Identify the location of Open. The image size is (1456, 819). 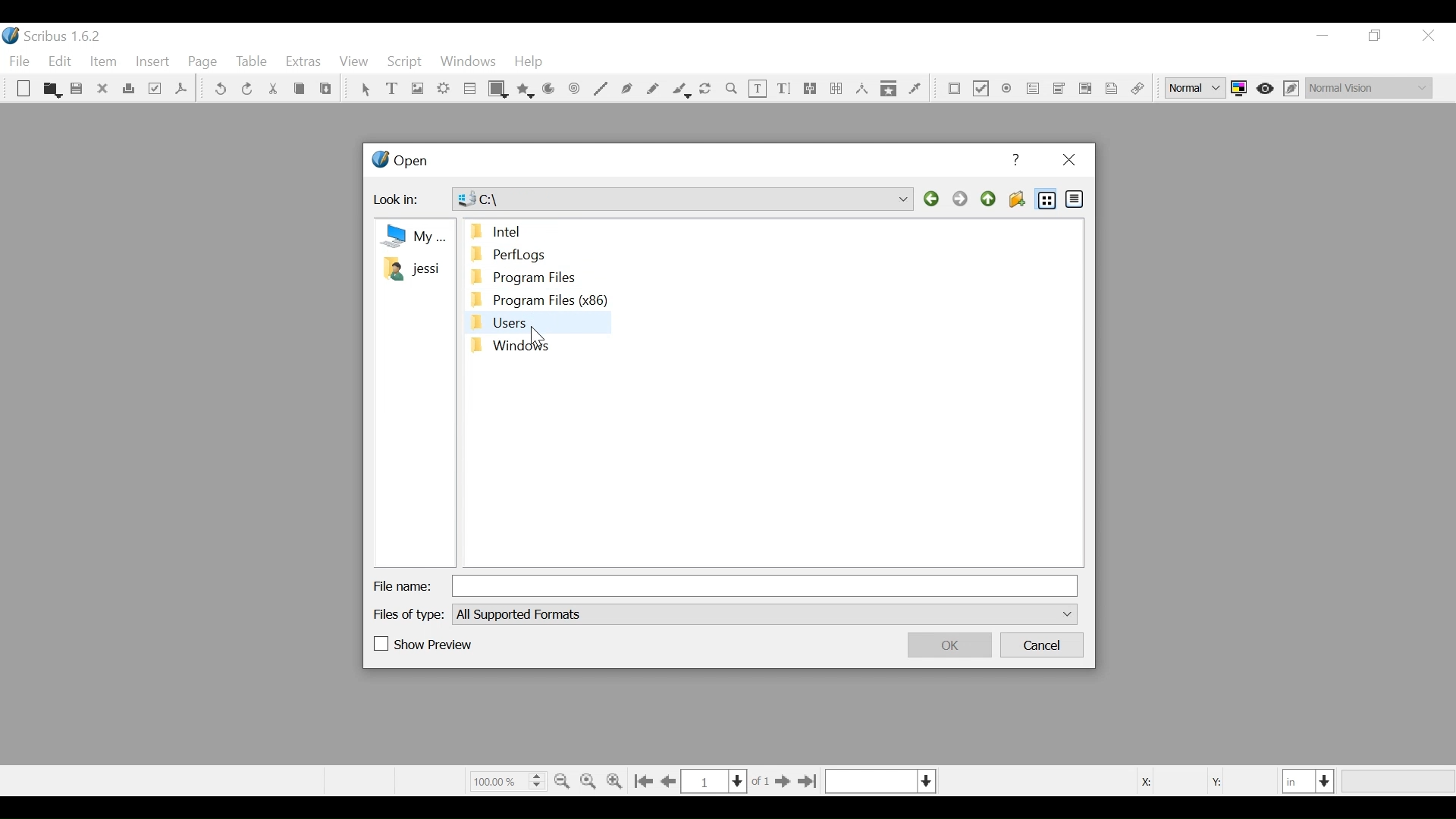
(51, 89).